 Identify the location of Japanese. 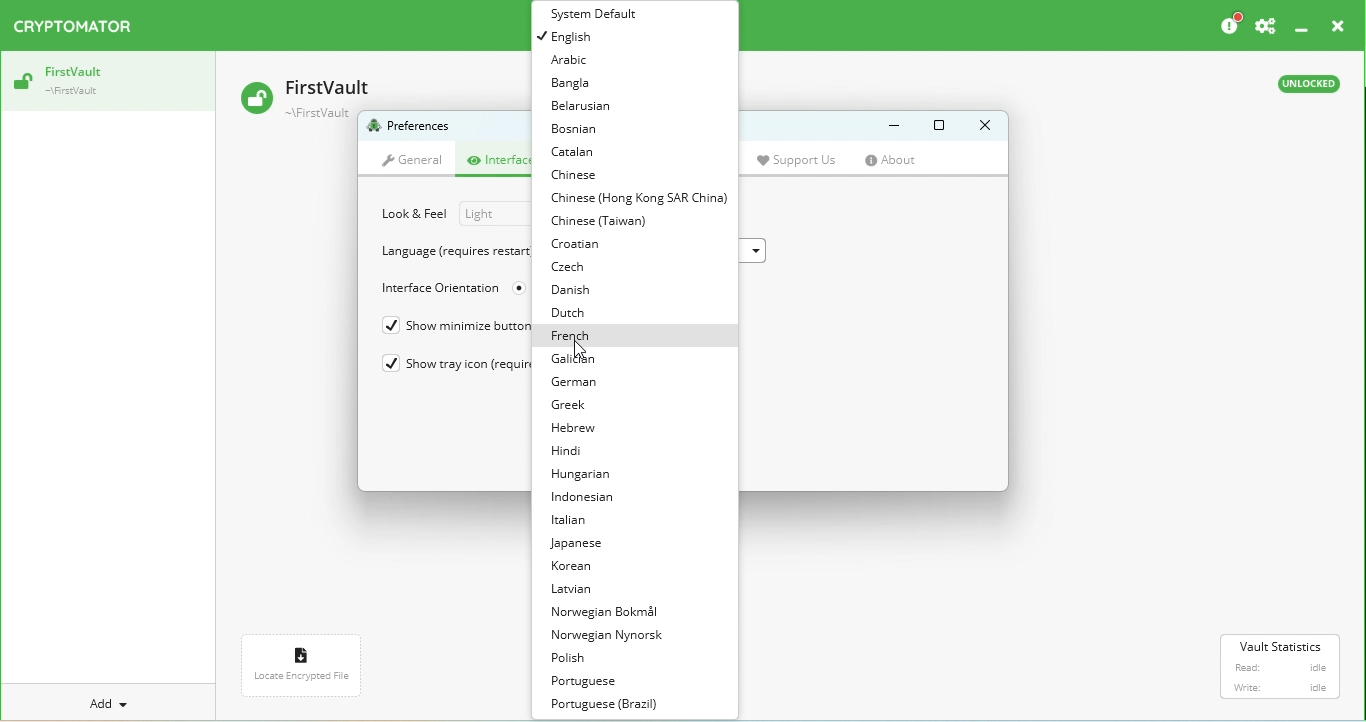
(580, 545).